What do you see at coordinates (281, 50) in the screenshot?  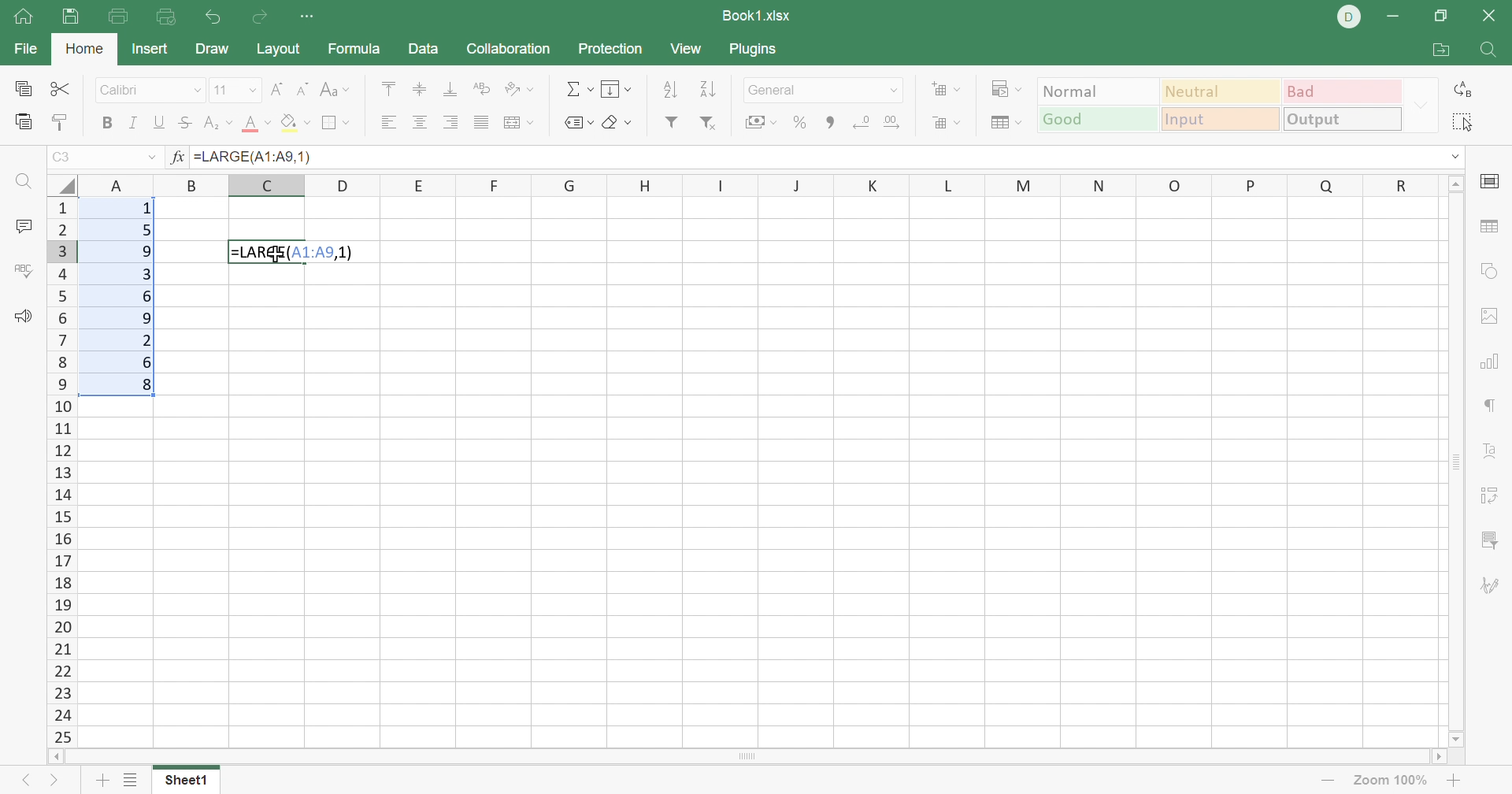 I see `Layout` at bounding box center [281, 50].